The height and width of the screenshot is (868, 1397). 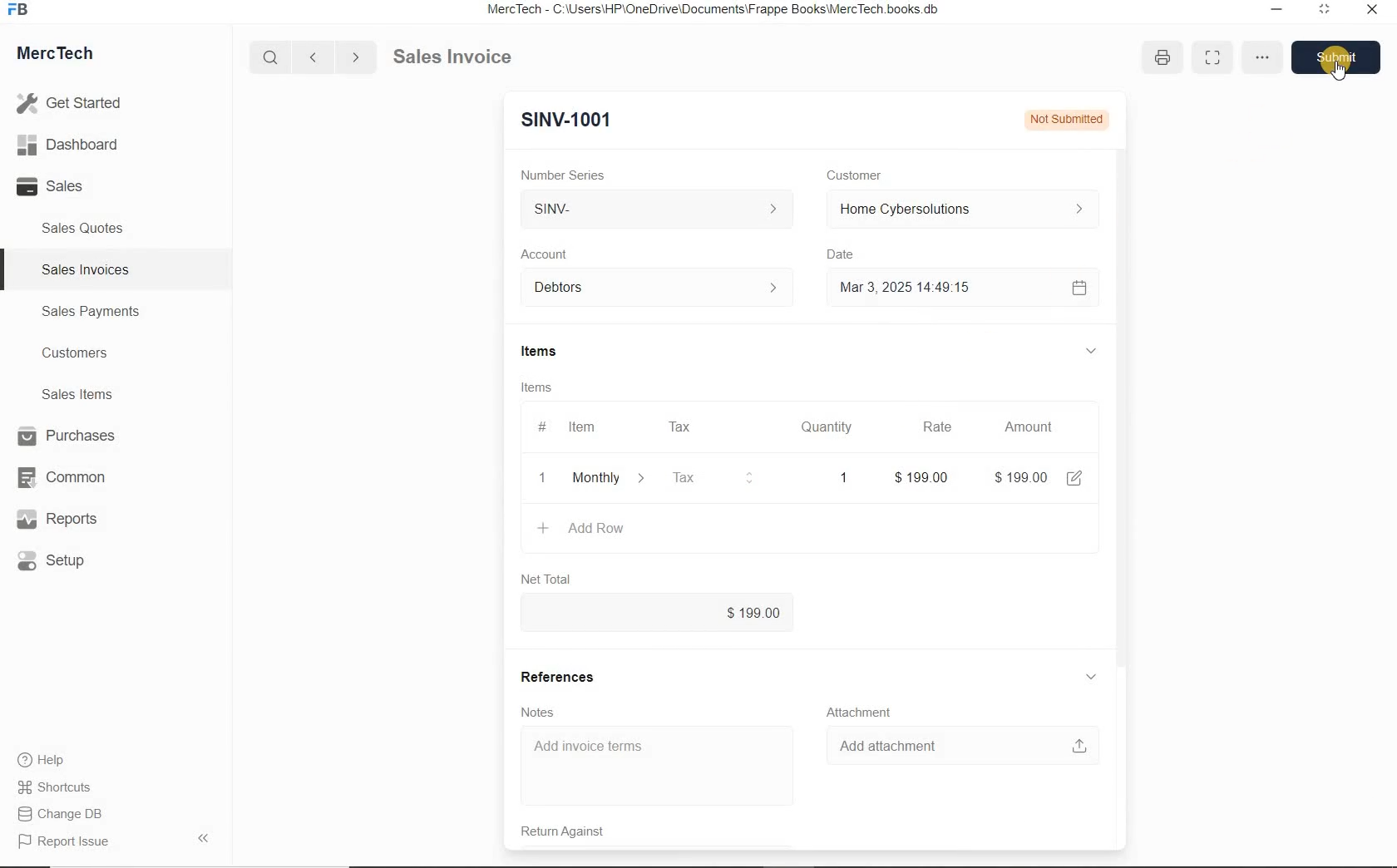 What do you see at coordinates (548, 254) in the screenshot?
I see `Account` at bounding box center [548, 254].